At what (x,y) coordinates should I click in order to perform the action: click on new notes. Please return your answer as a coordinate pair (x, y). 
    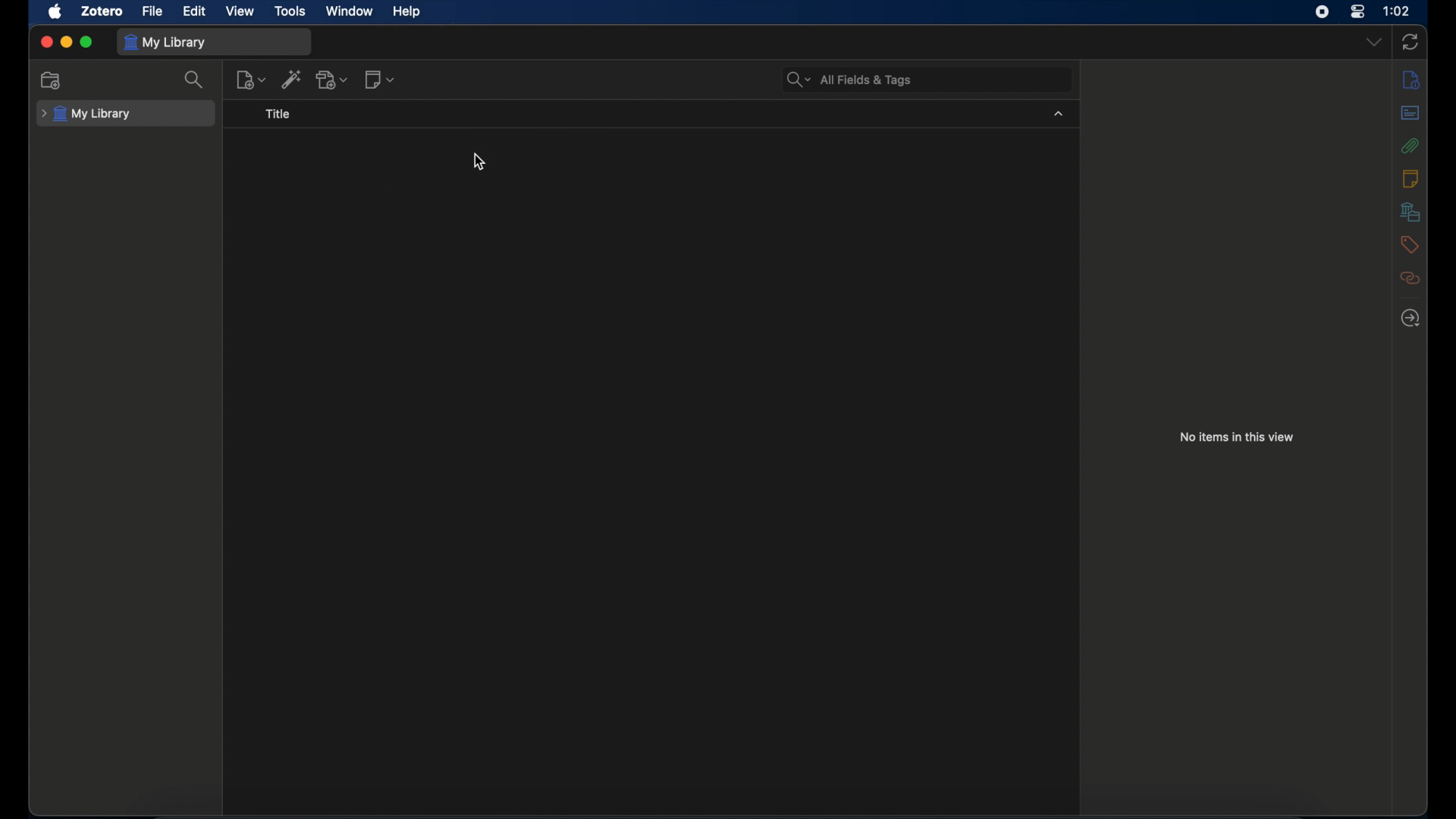
    Looking at the image, I should click on (379, 79).